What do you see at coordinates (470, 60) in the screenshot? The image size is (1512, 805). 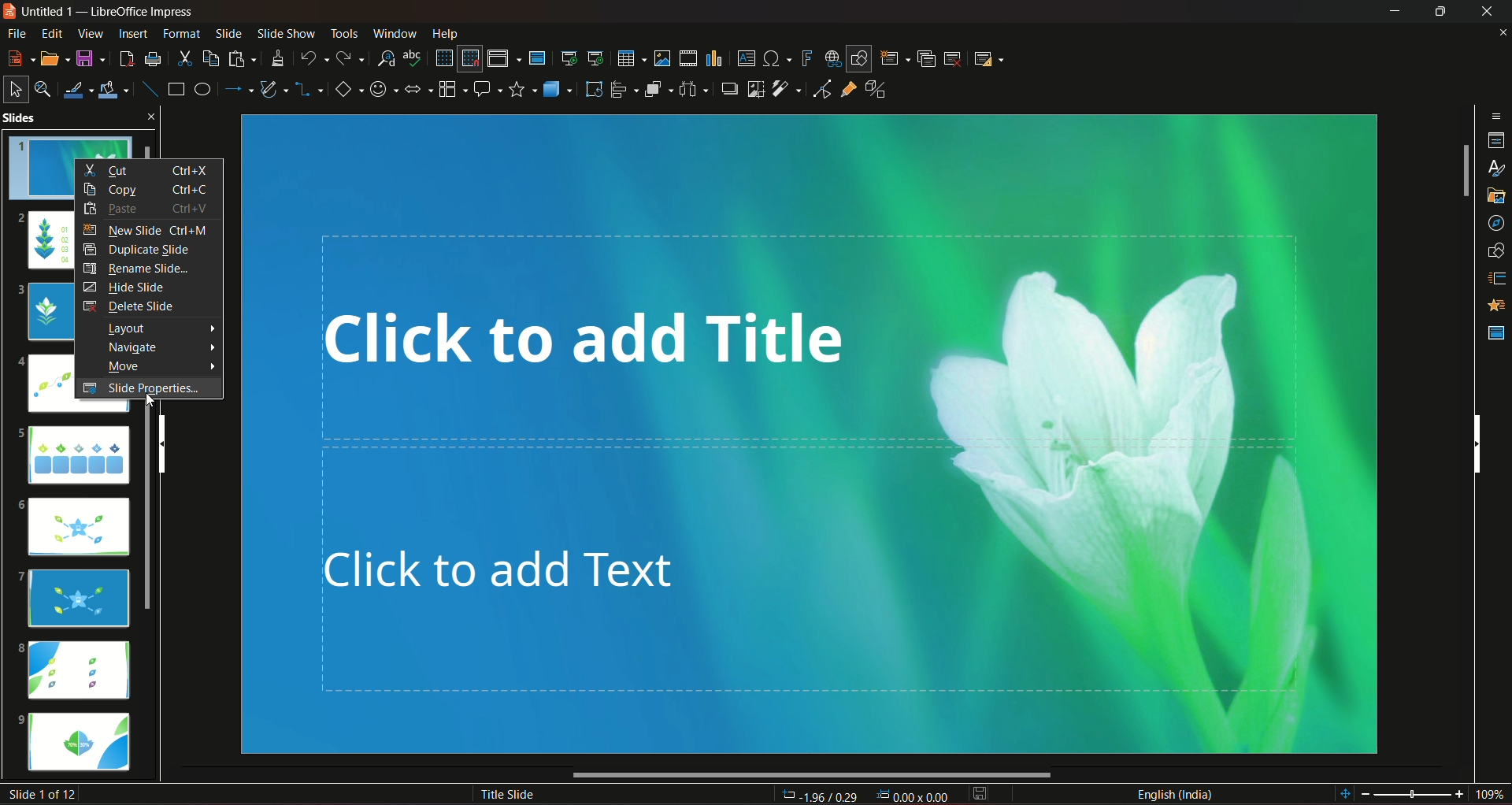 I see `snap to grid` at bounding box center [470, 60].